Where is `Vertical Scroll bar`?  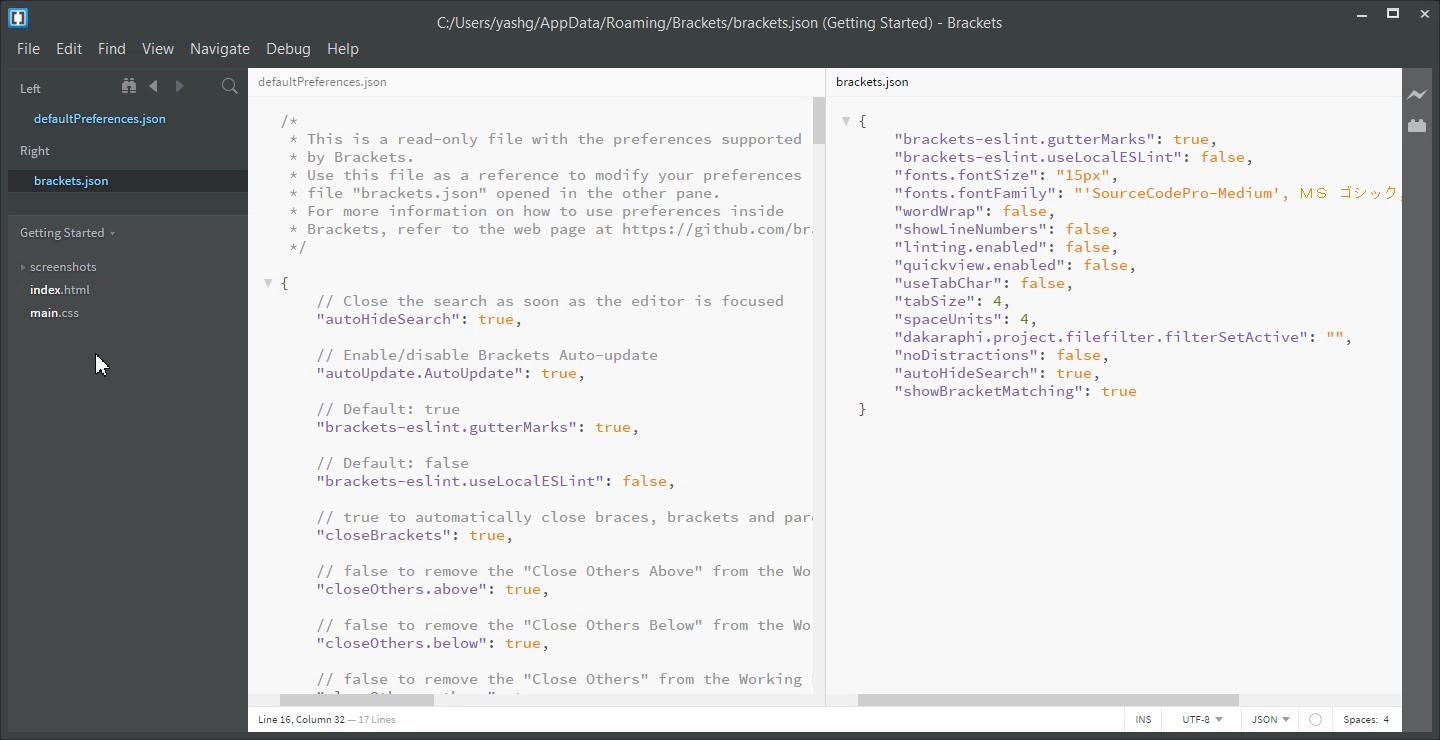
Vertical Scroll bar is located at coordinates (823, 392).